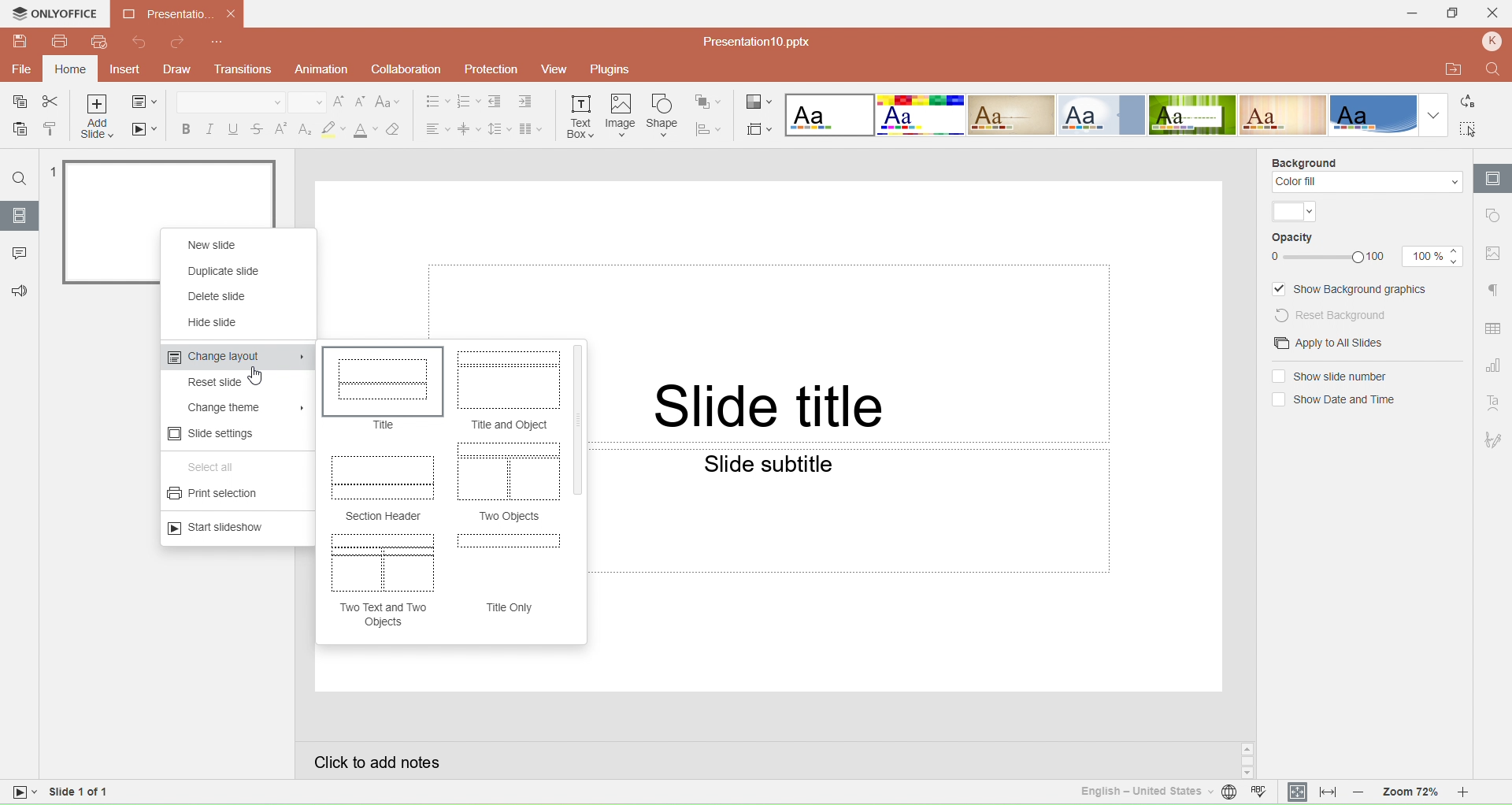  Describe the element at coordinates (1284, 114) in the screenshot. I see `Lines` at that location.